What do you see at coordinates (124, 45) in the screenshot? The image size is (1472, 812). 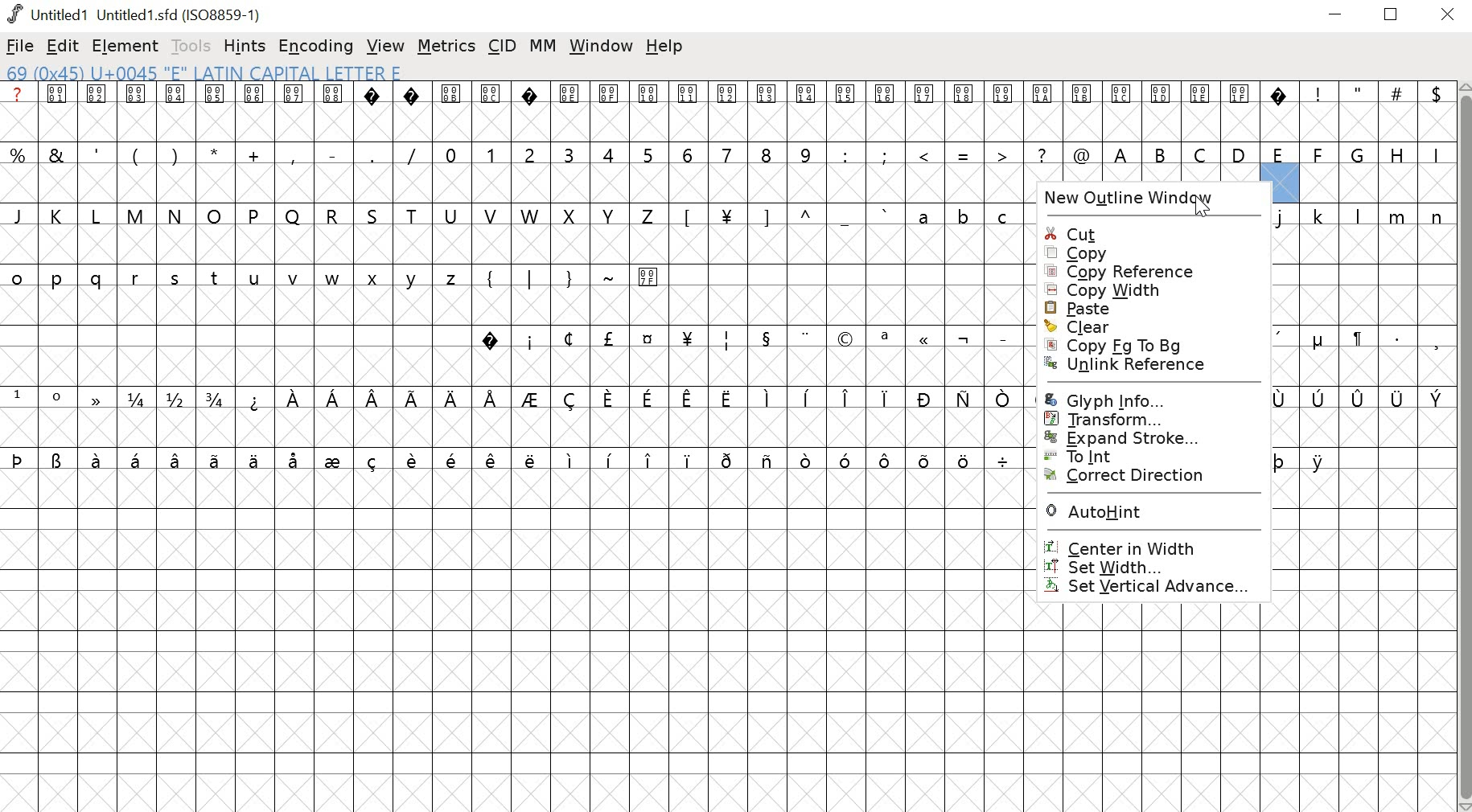 I see `element` at bounding box center [124, 45].